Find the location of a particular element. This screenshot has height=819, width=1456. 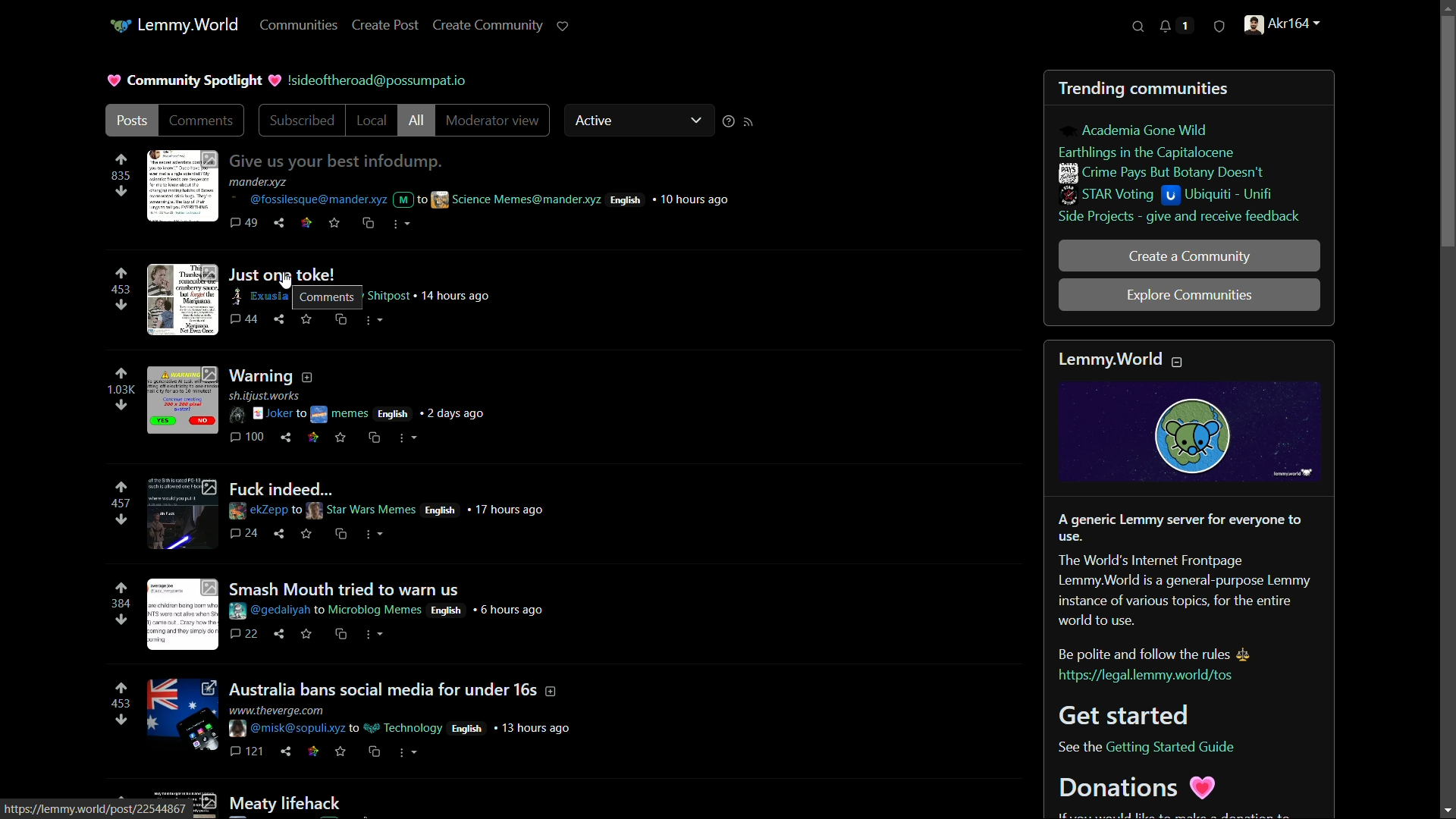

44 comments is located at coordinates (245, 318).